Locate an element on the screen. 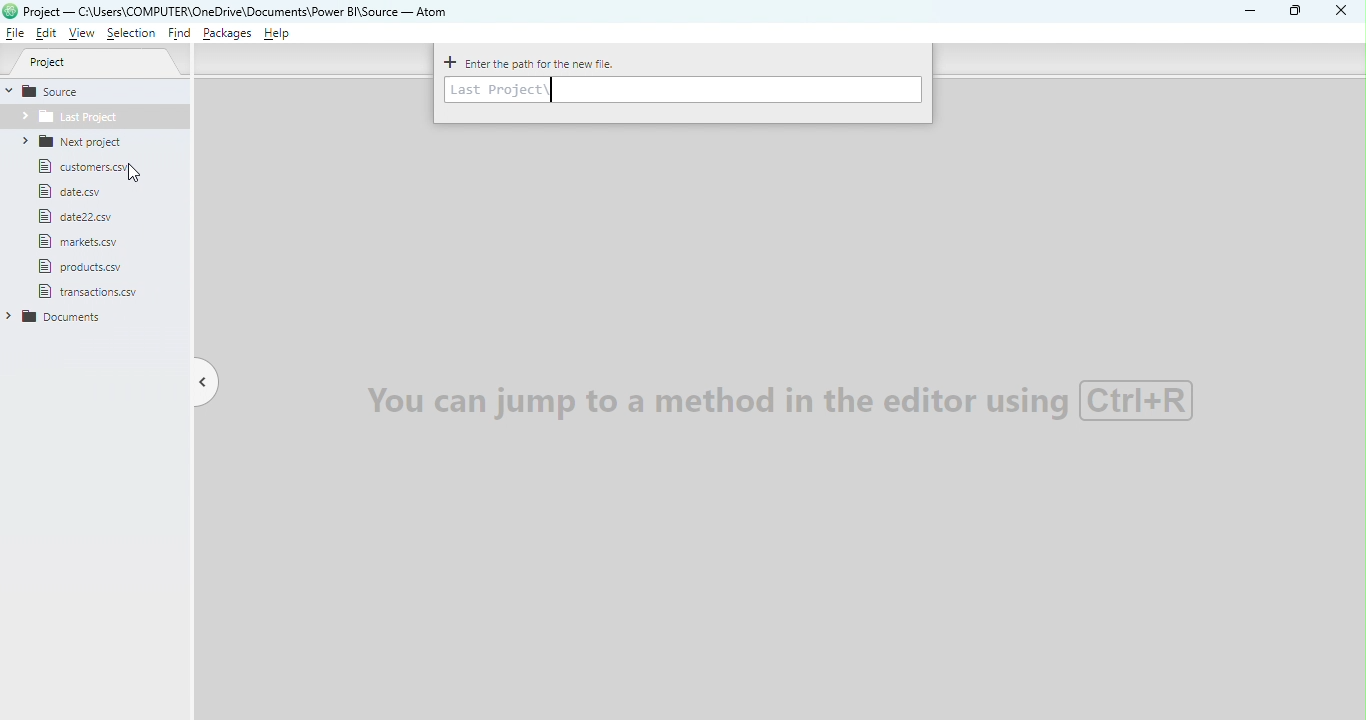 Image resolution: width=1366 pixels, height=720 pixels. File is located at coordinates (79, 242).